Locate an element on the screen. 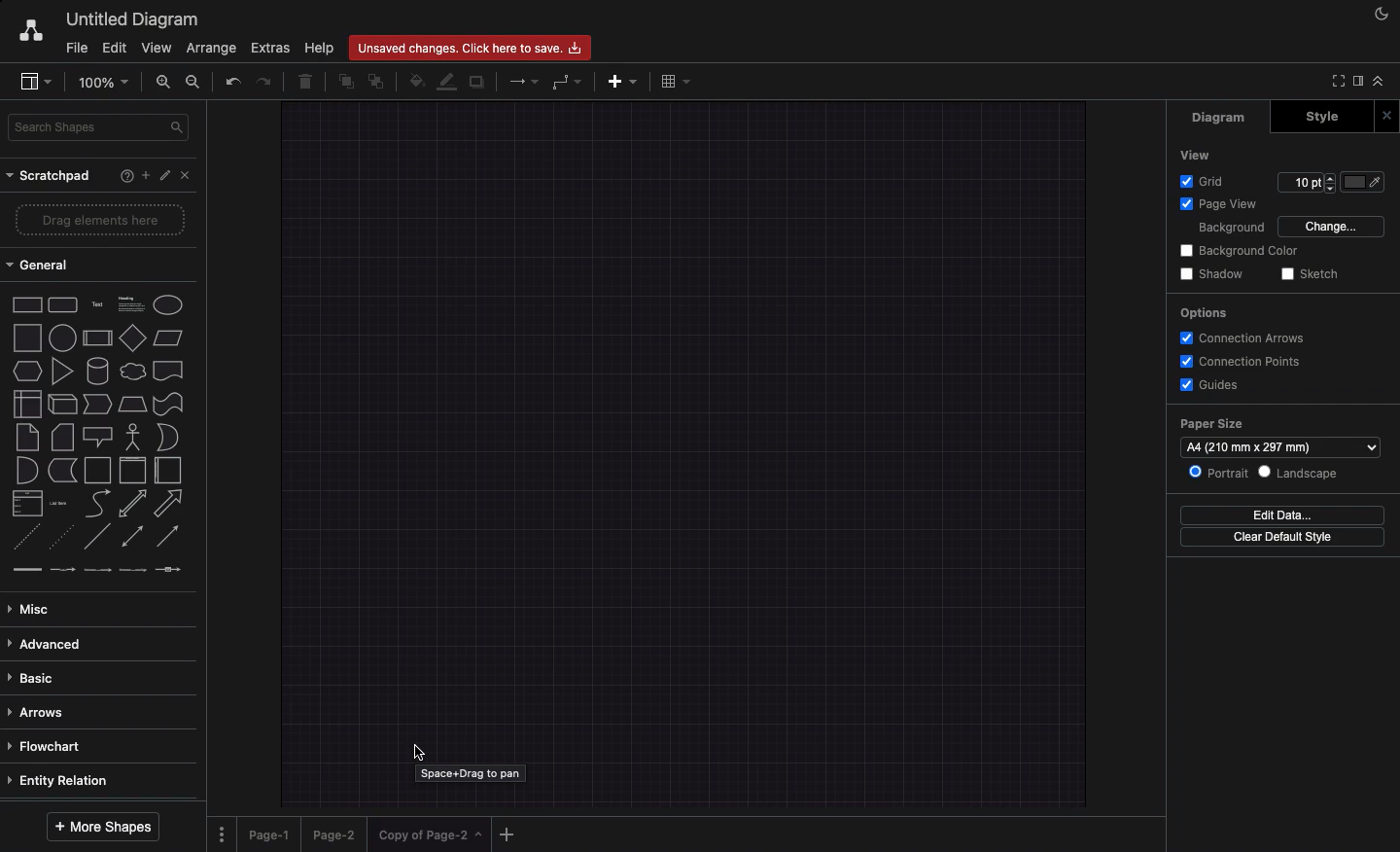 This screenshot has height=852, width=1400. Table is located at coordinates (678, 81).